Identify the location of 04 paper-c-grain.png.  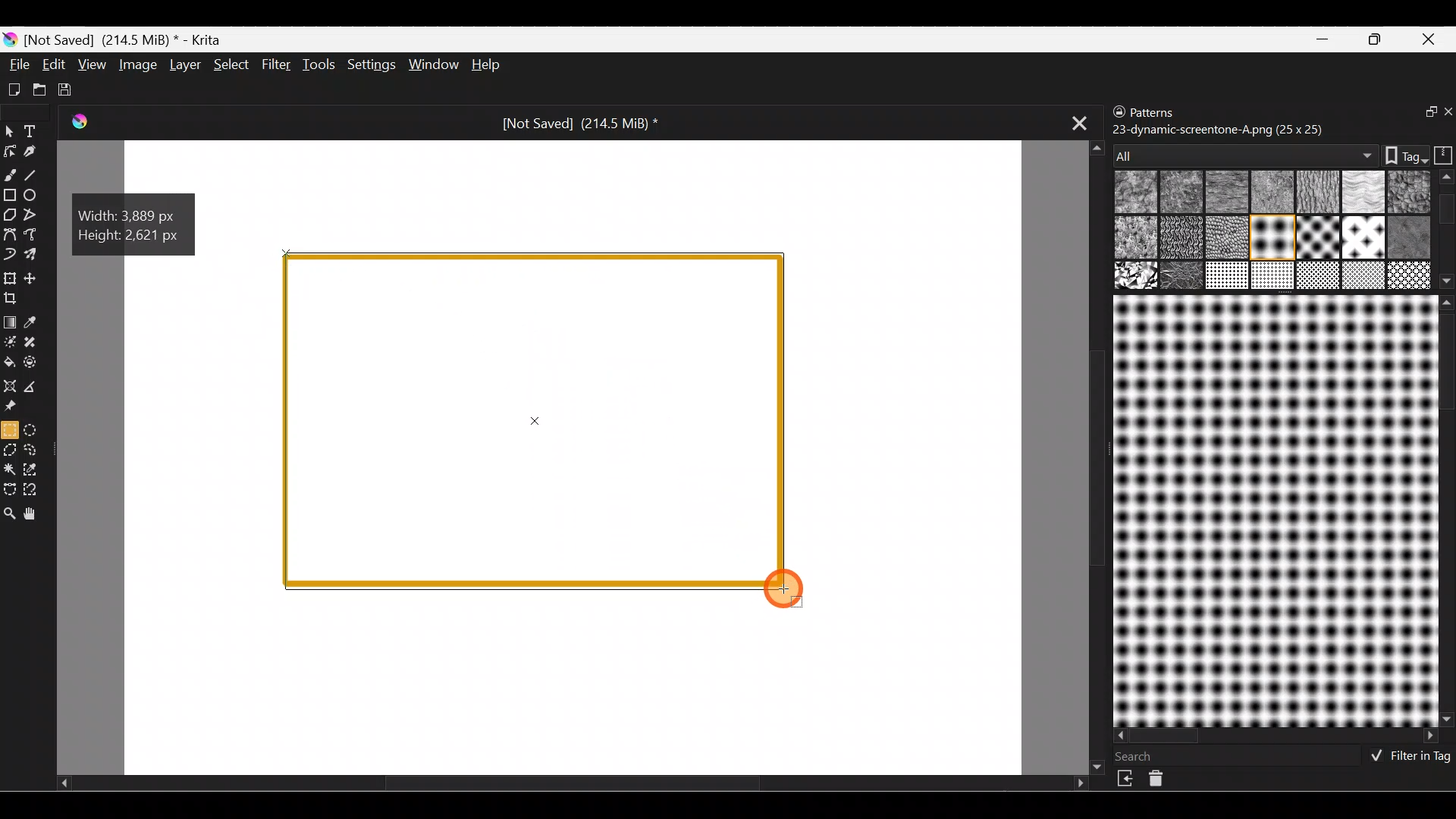
(1316, 193).